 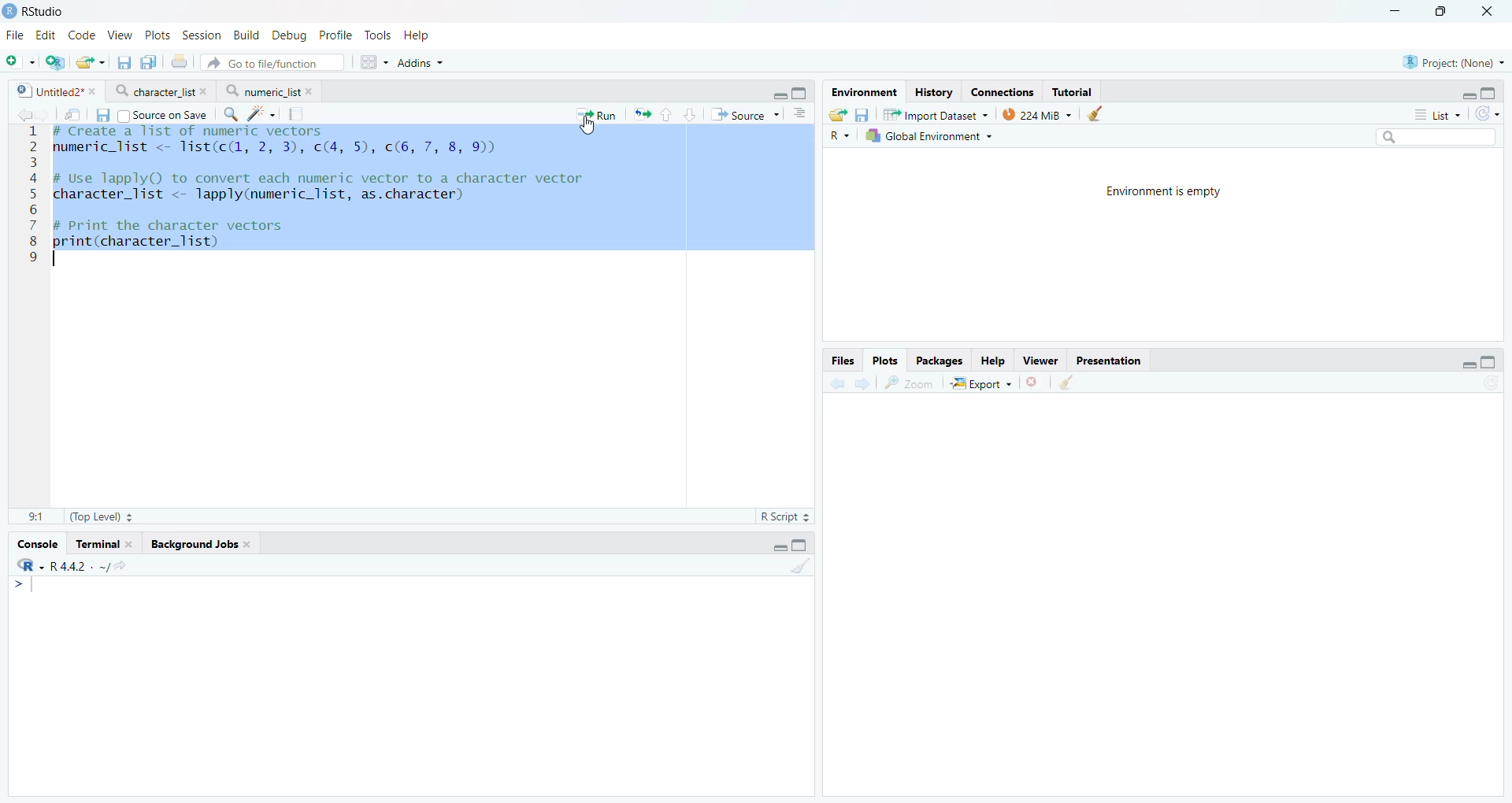 I want to click on (Top Level), so click(x=100, y=517).